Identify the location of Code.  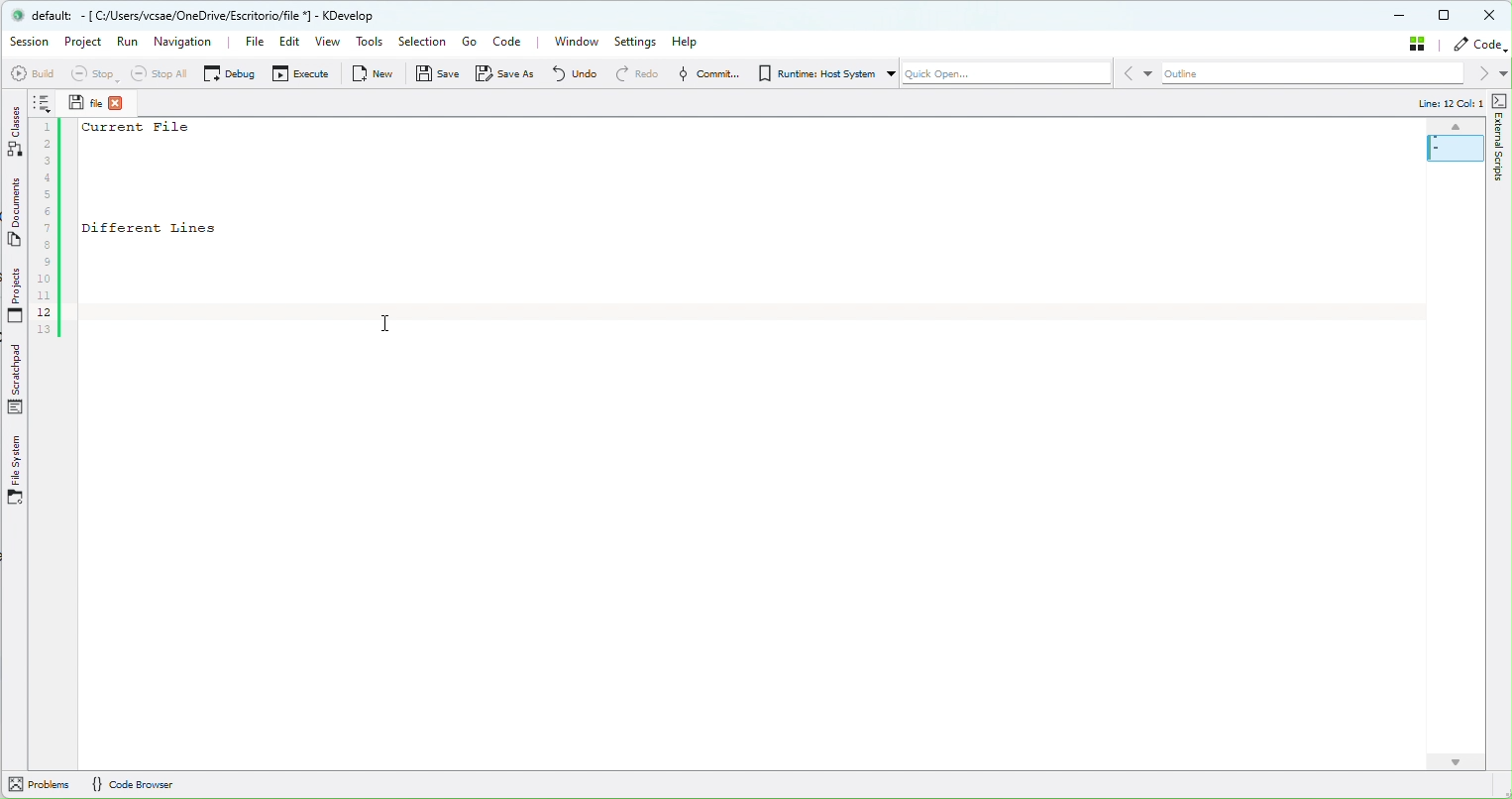
(513, 41).